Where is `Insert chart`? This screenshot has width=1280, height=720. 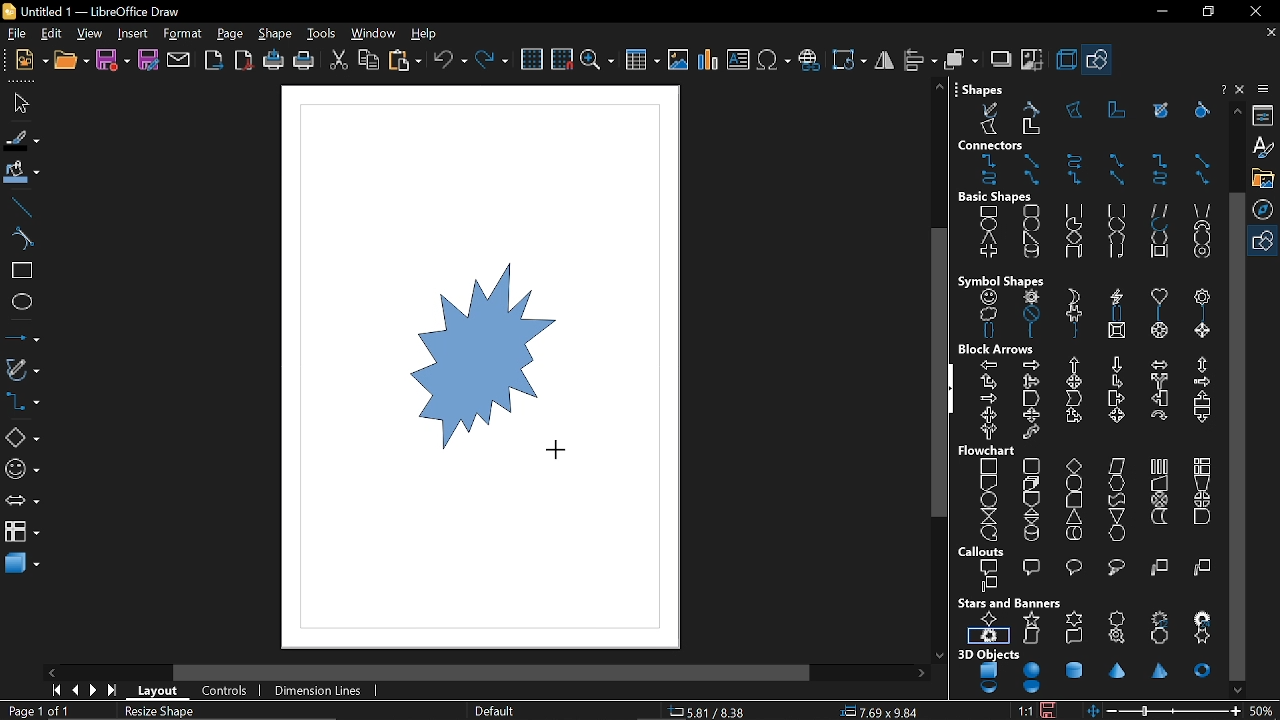
Insert chart is located at coordinates (707, 60).